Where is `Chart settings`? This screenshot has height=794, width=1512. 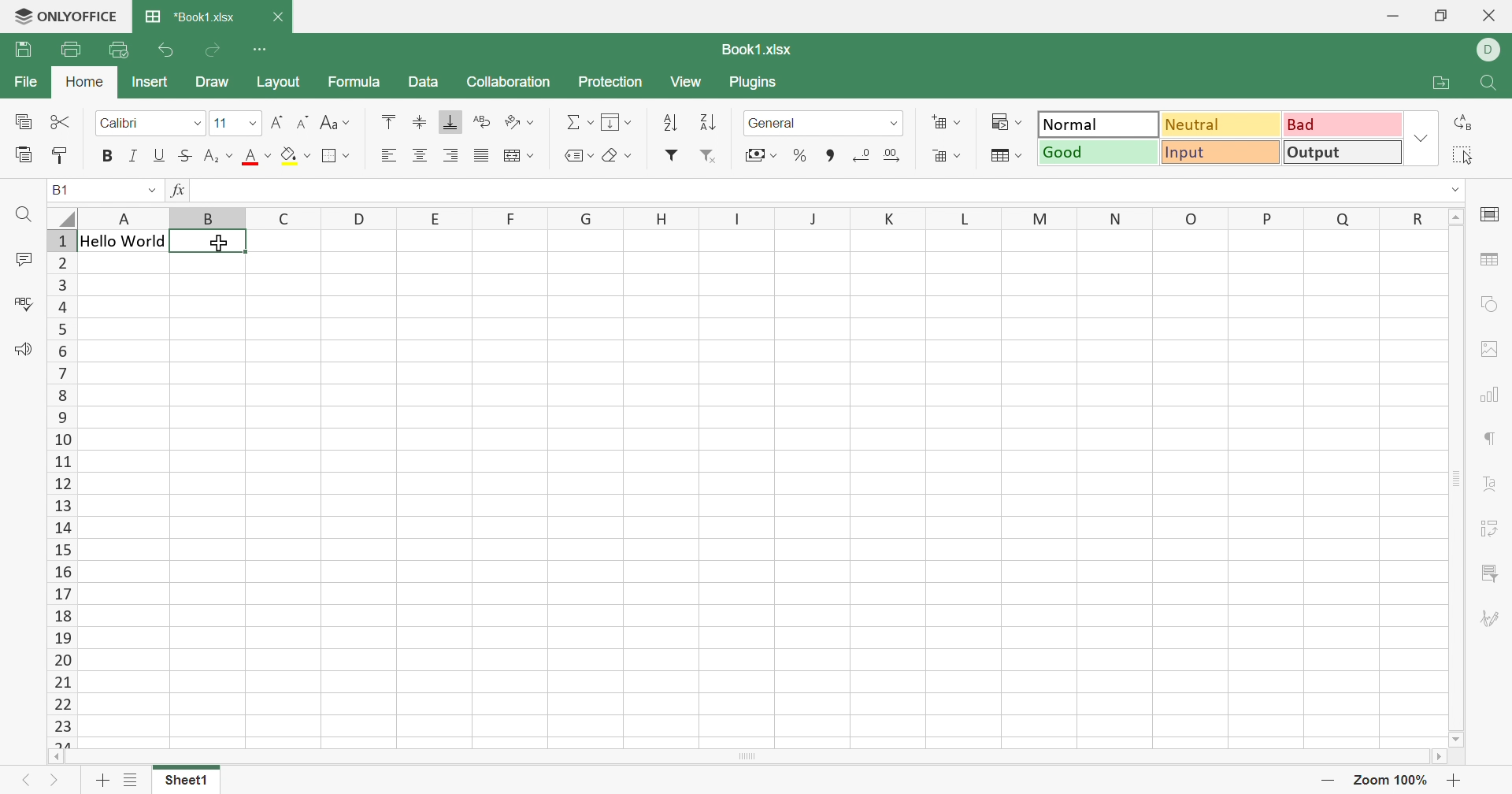 Chart settings is located at coordinates (1488, 398).